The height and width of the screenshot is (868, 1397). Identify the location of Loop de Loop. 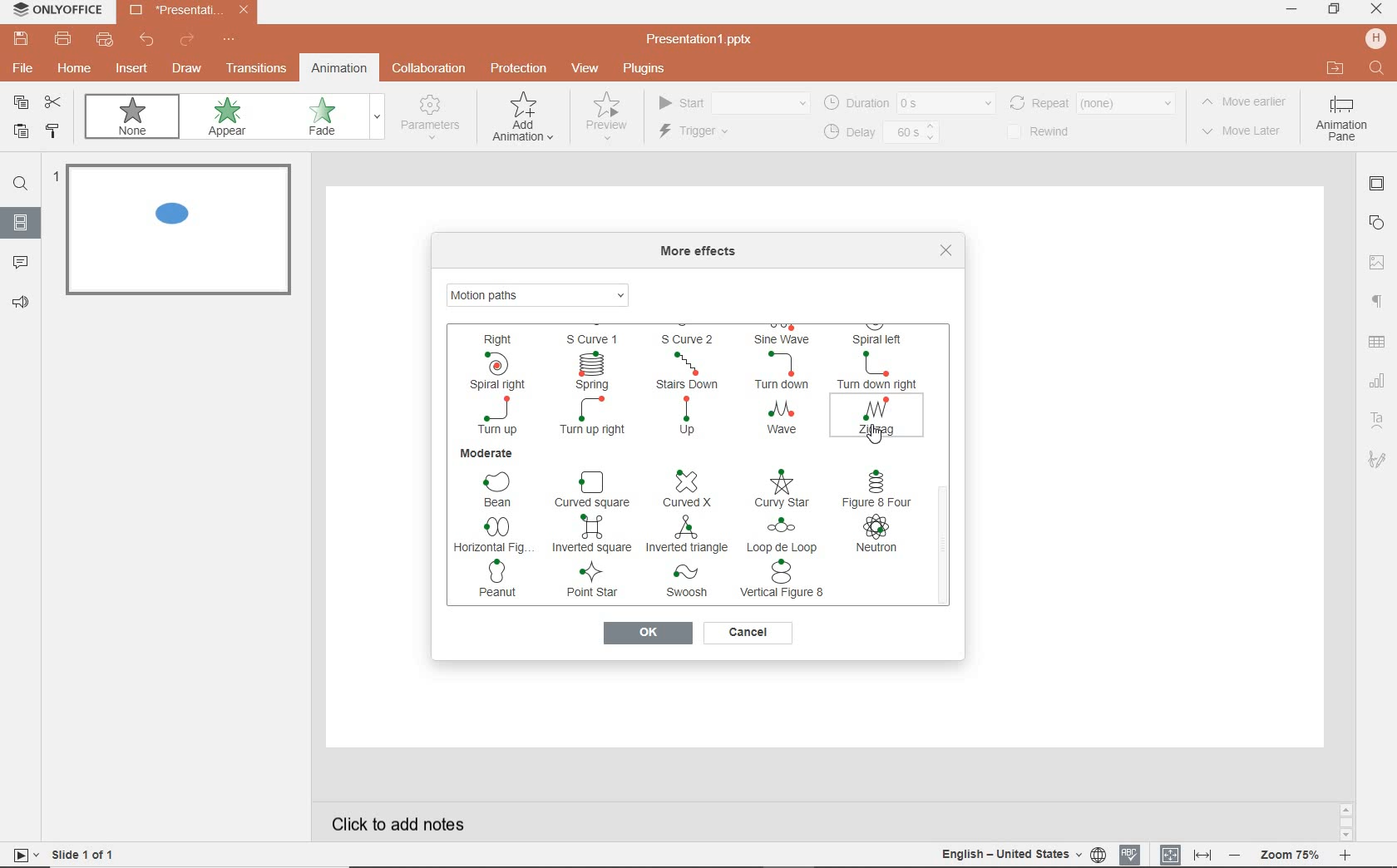
(784, 535).